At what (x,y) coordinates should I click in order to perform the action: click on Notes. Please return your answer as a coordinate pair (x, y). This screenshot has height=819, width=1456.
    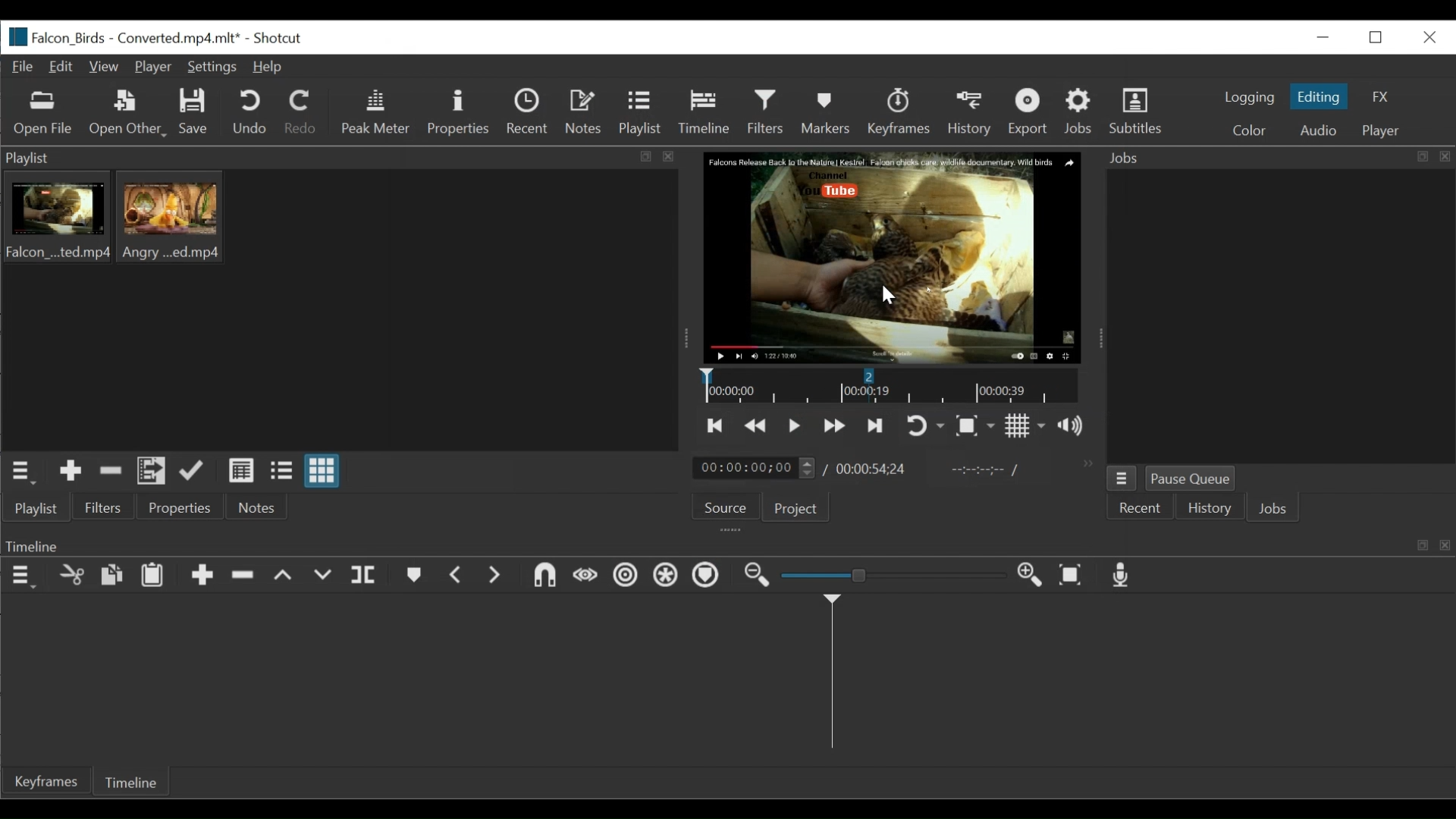
    Looking at the image, I should click on (256, 507).